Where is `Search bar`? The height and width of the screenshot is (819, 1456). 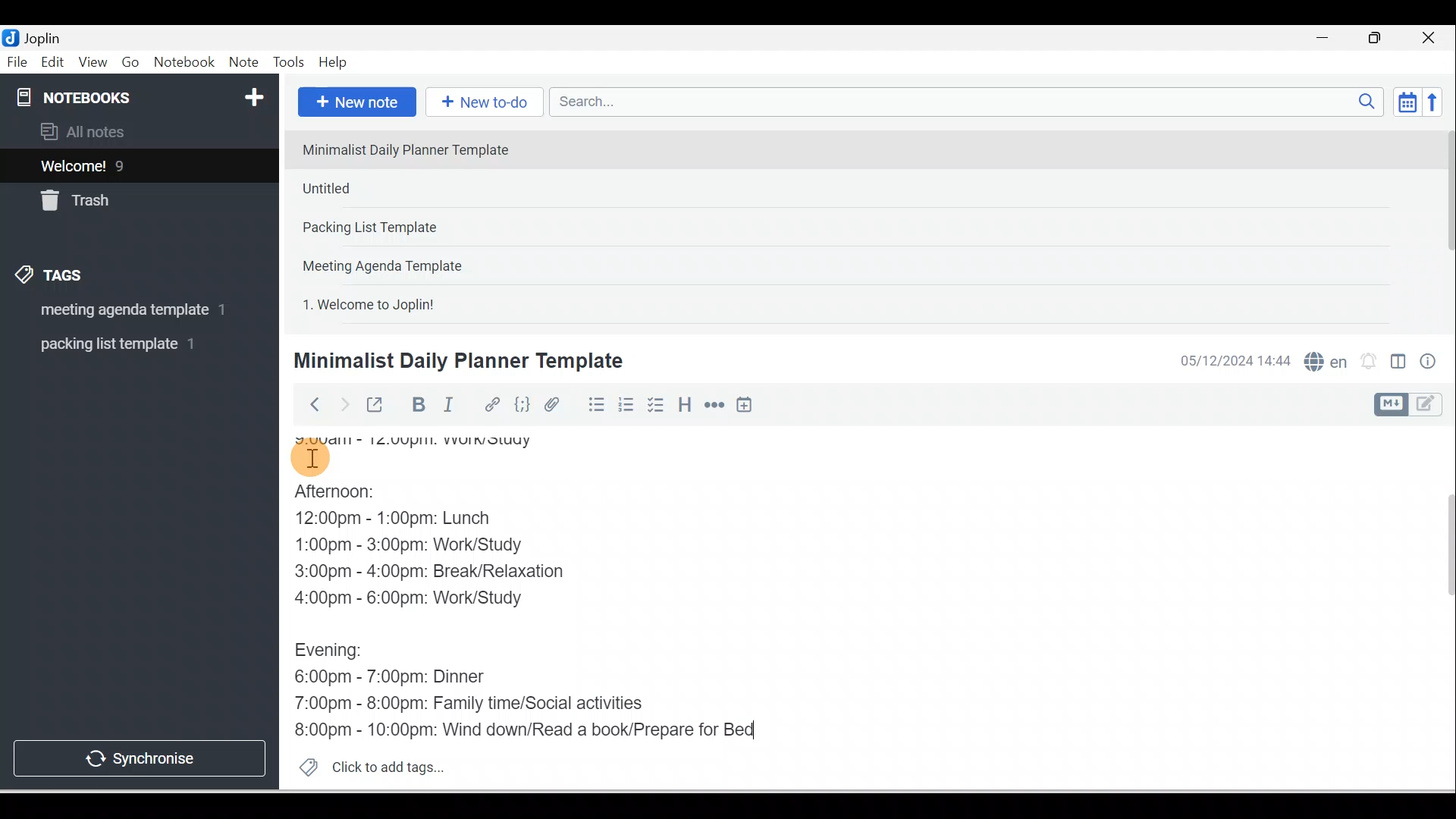 Search bar is located at coordinates (971, 102).